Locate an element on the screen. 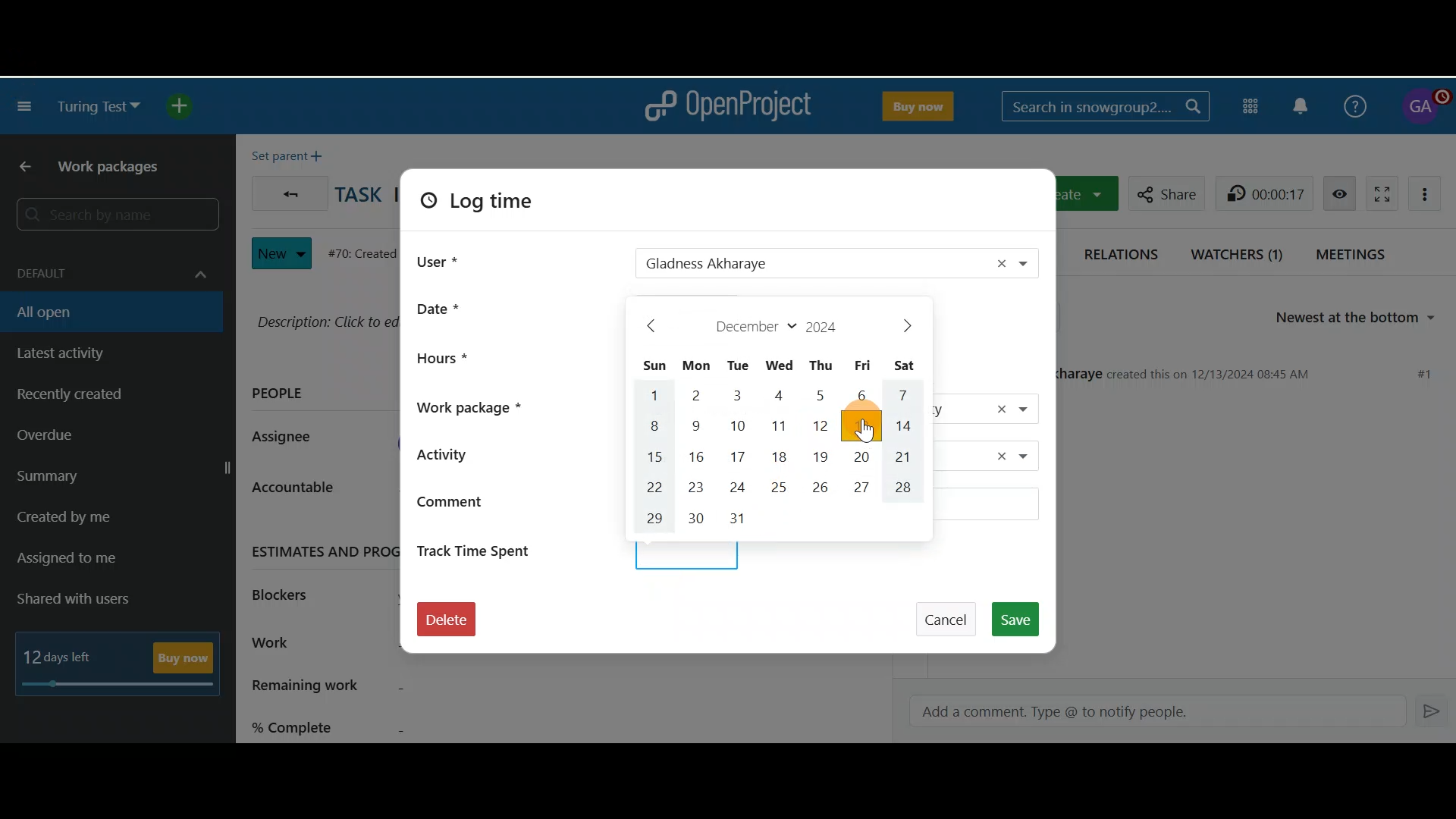 Image resolution: width=1456 pixels, height=819 pixels. Sun is located at coordinates (655, 367).